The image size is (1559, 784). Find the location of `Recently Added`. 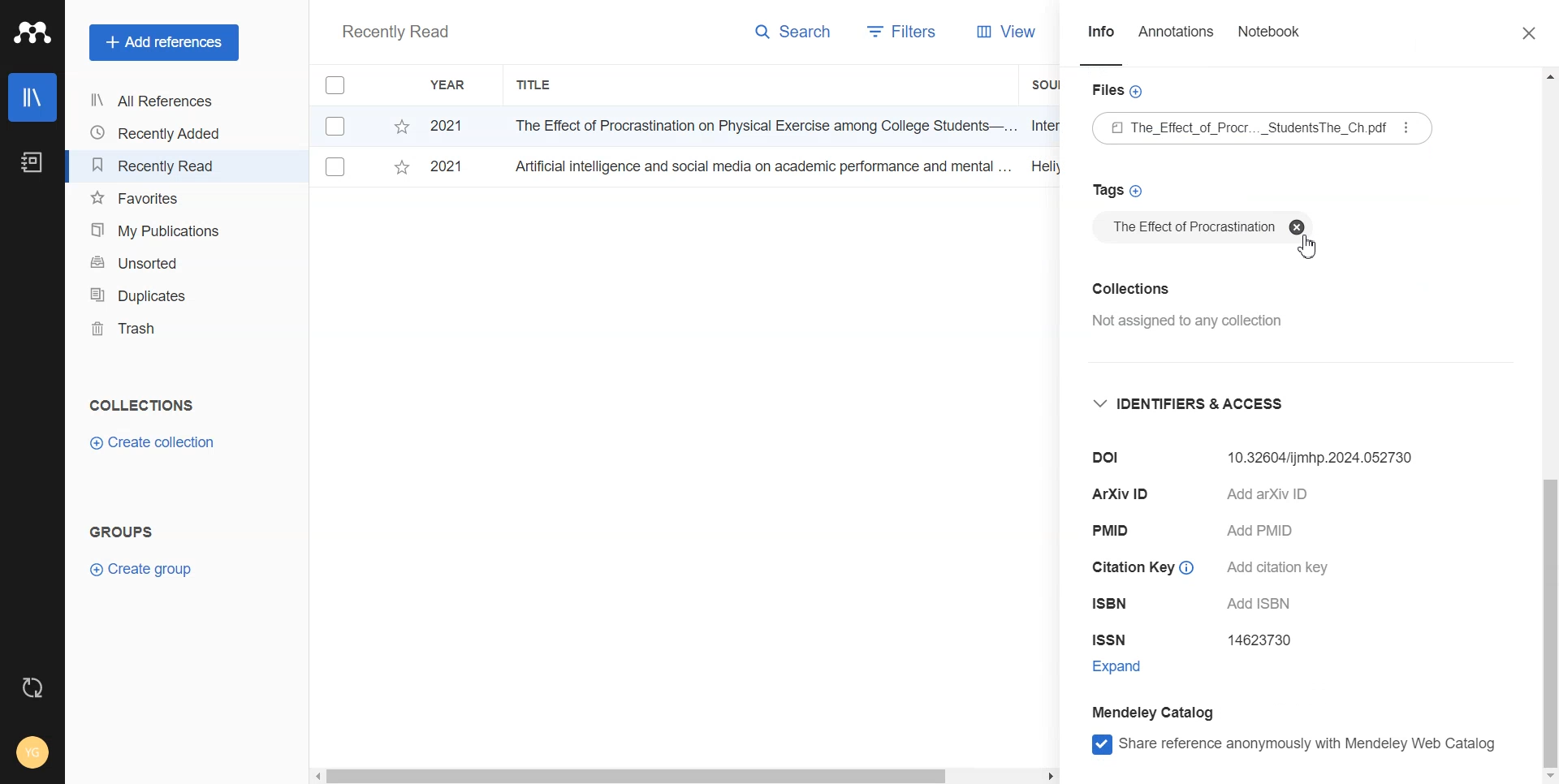

Recently Added is located at coordinates (158, 133).